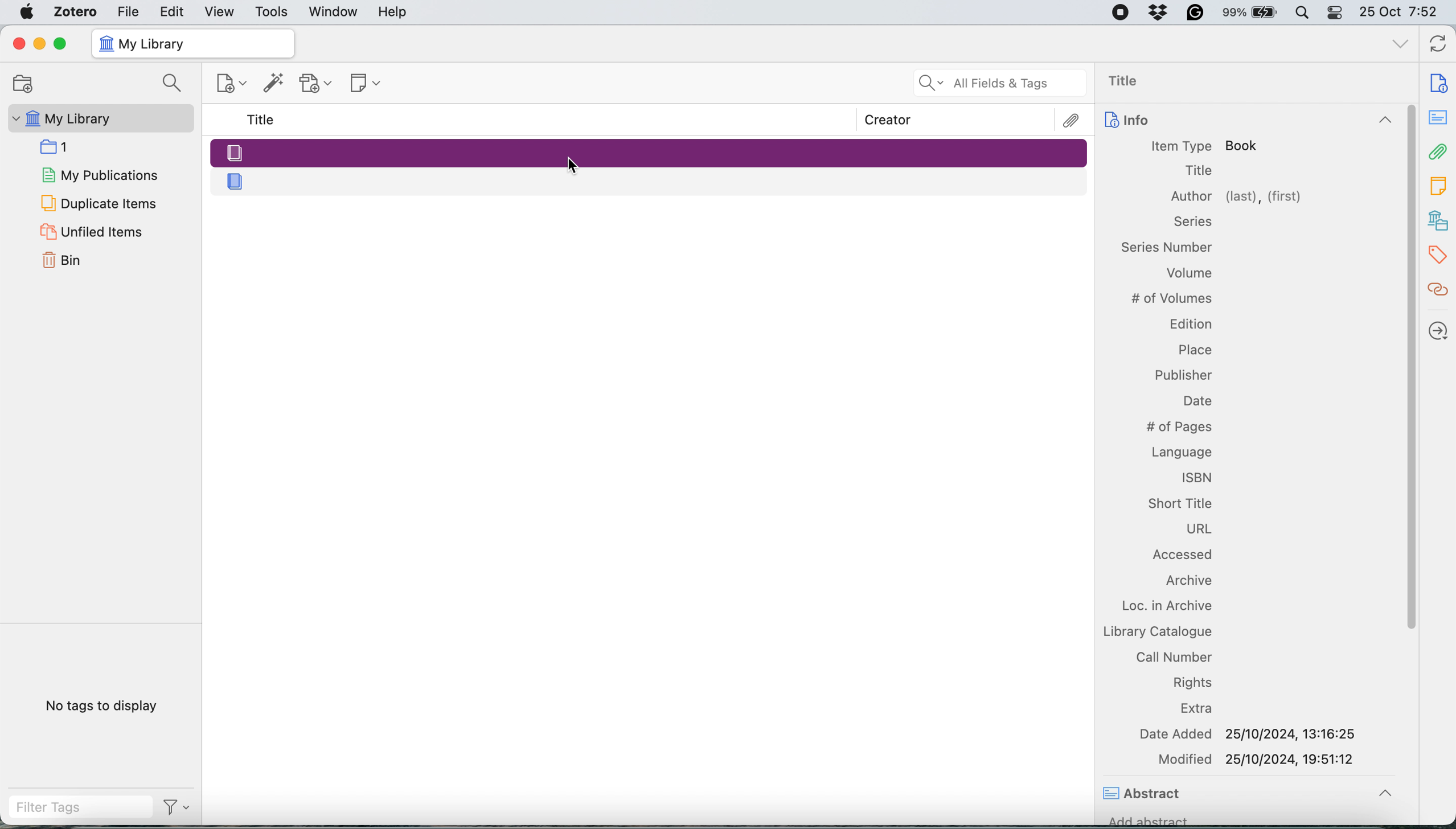 This screenshot has width=1456, height=829. What do you see at coordinates (1187, 582) in the screenshot?
I see `Archive` at bounding box center [1187, 582].